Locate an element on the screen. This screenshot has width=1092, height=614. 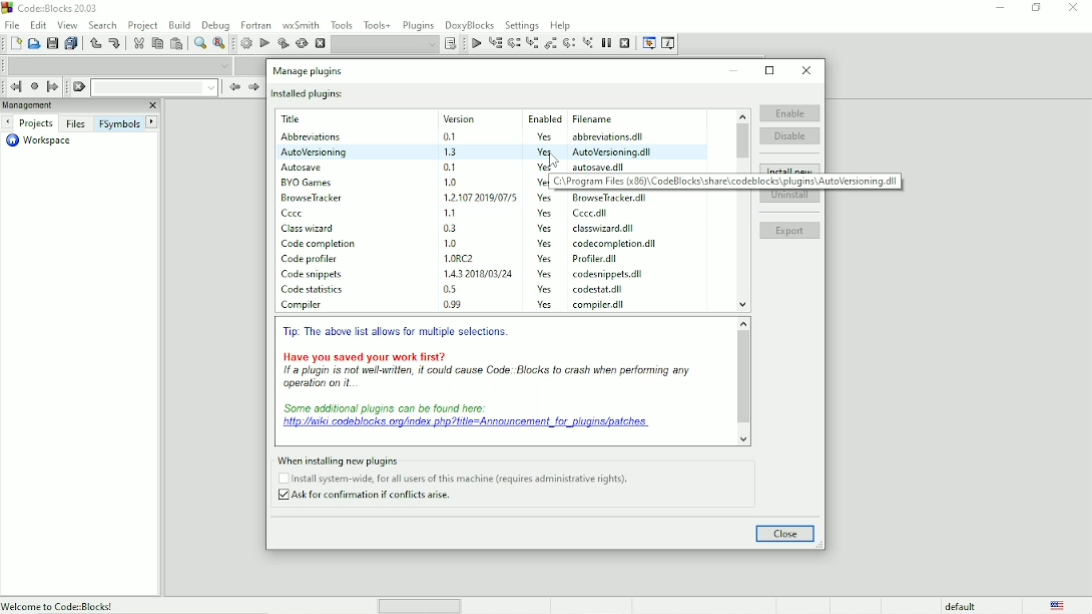
Drop down is located at coordinates (154, 87).